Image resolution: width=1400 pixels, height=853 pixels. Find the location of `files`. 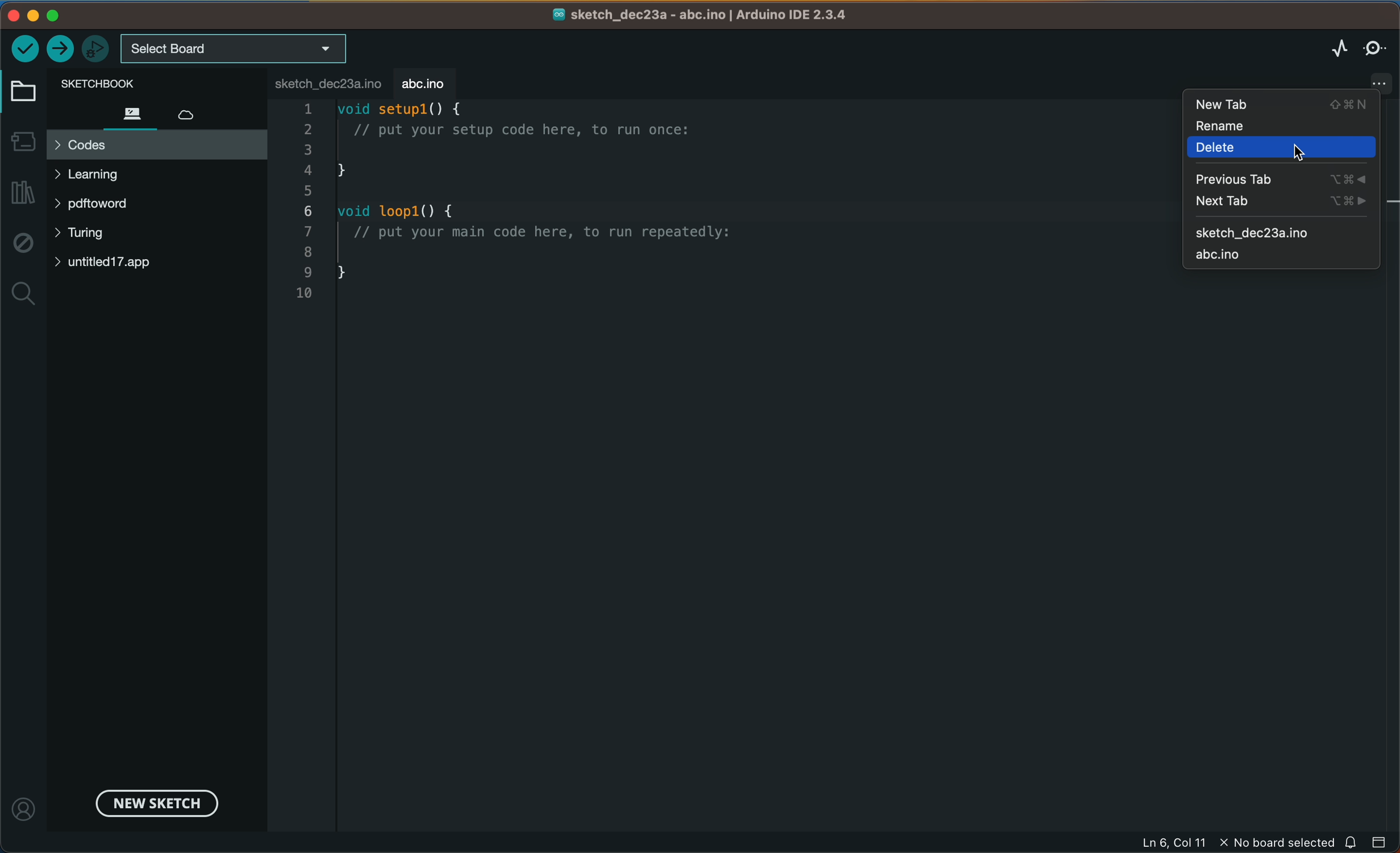

files is located at coordinates (130, 112).